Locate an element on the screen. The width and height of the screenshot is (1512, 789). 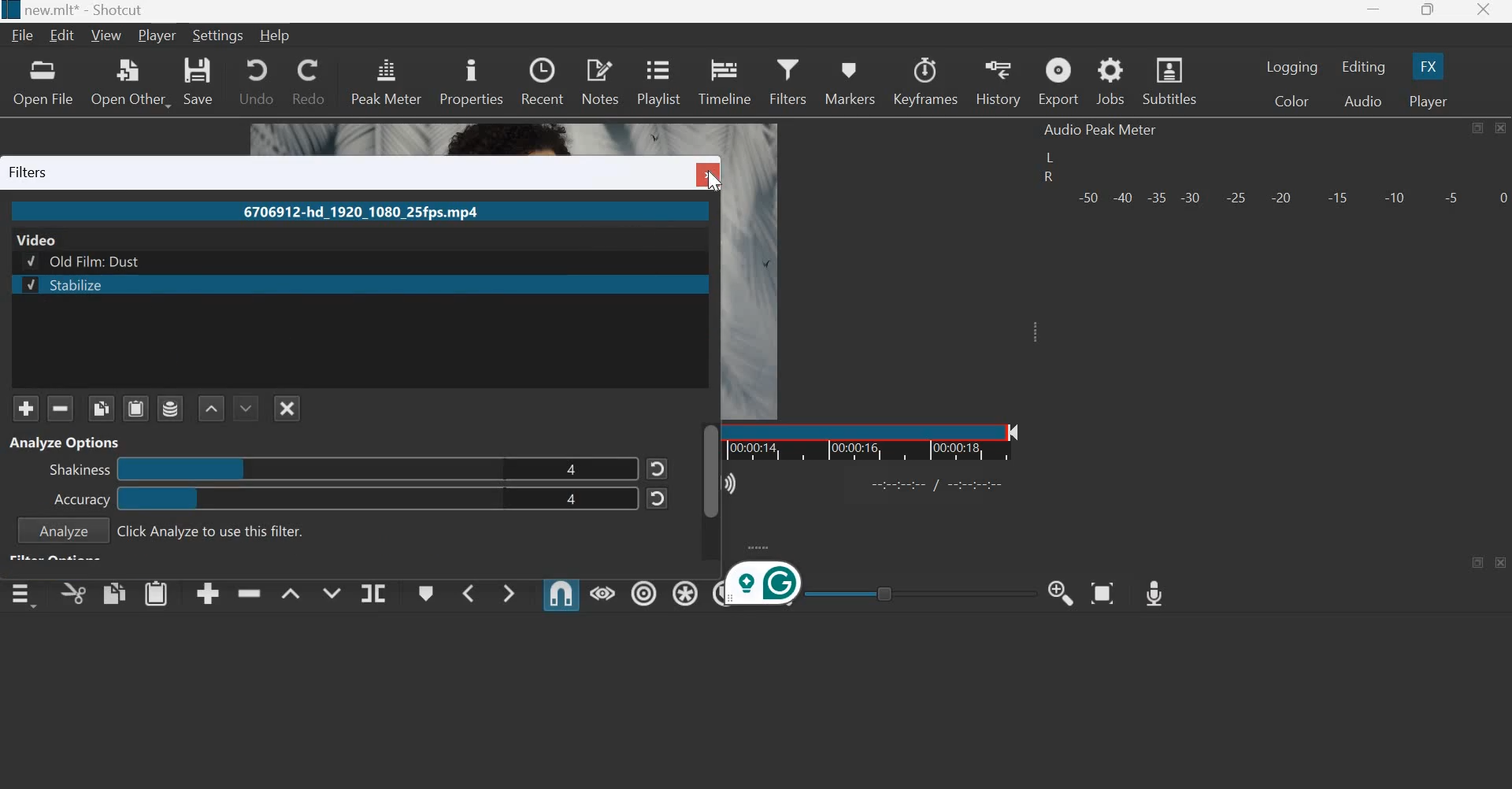
Redo is located at coordinates (310, 82).